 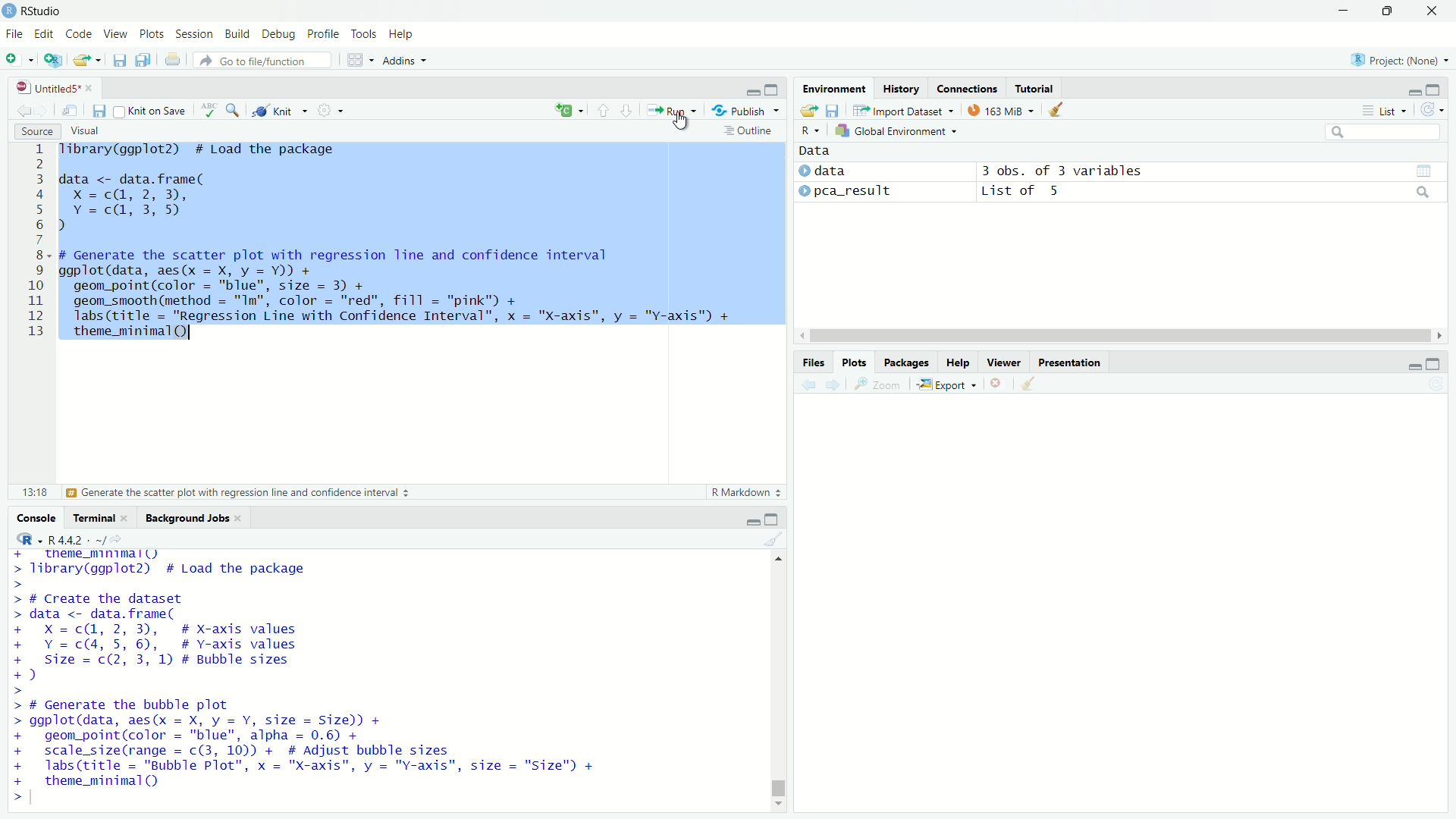 I want to click on New file, so click(x=18, y=58).